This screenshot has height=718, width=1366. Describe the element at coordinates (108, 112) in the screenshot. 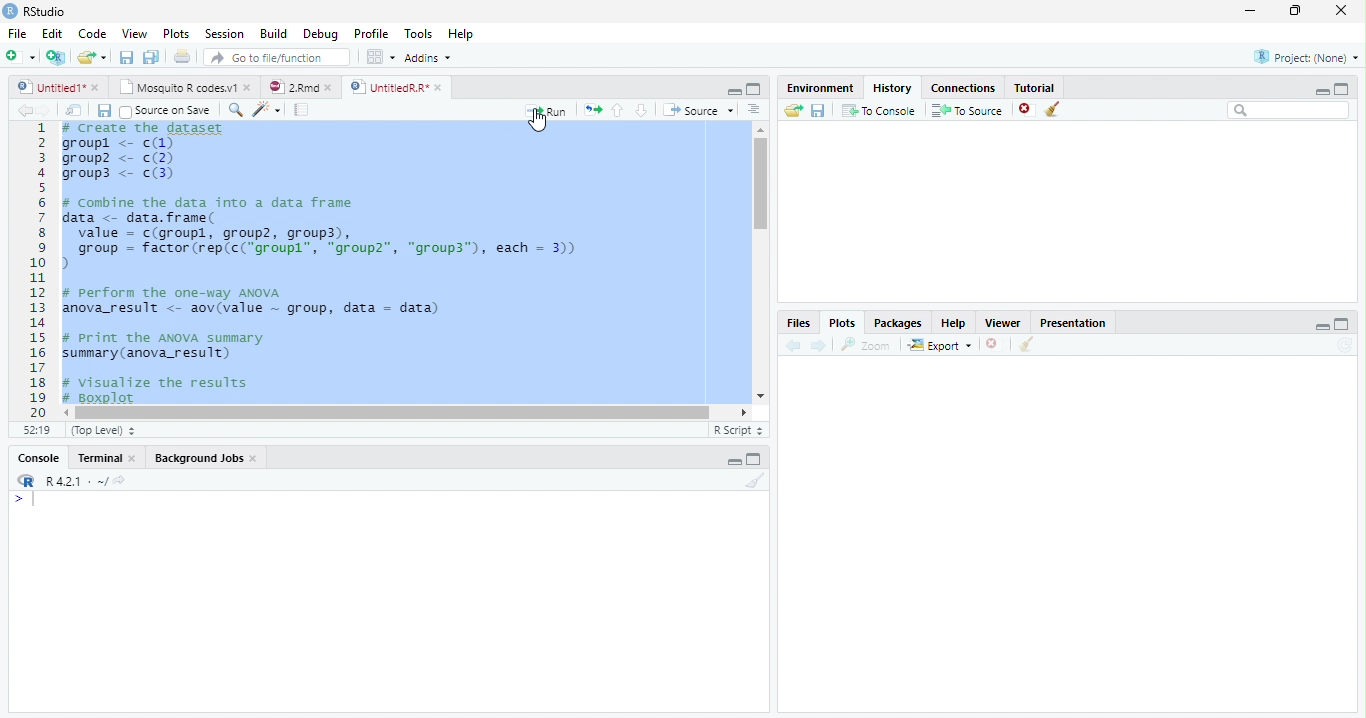

I see `Save all` at that location.